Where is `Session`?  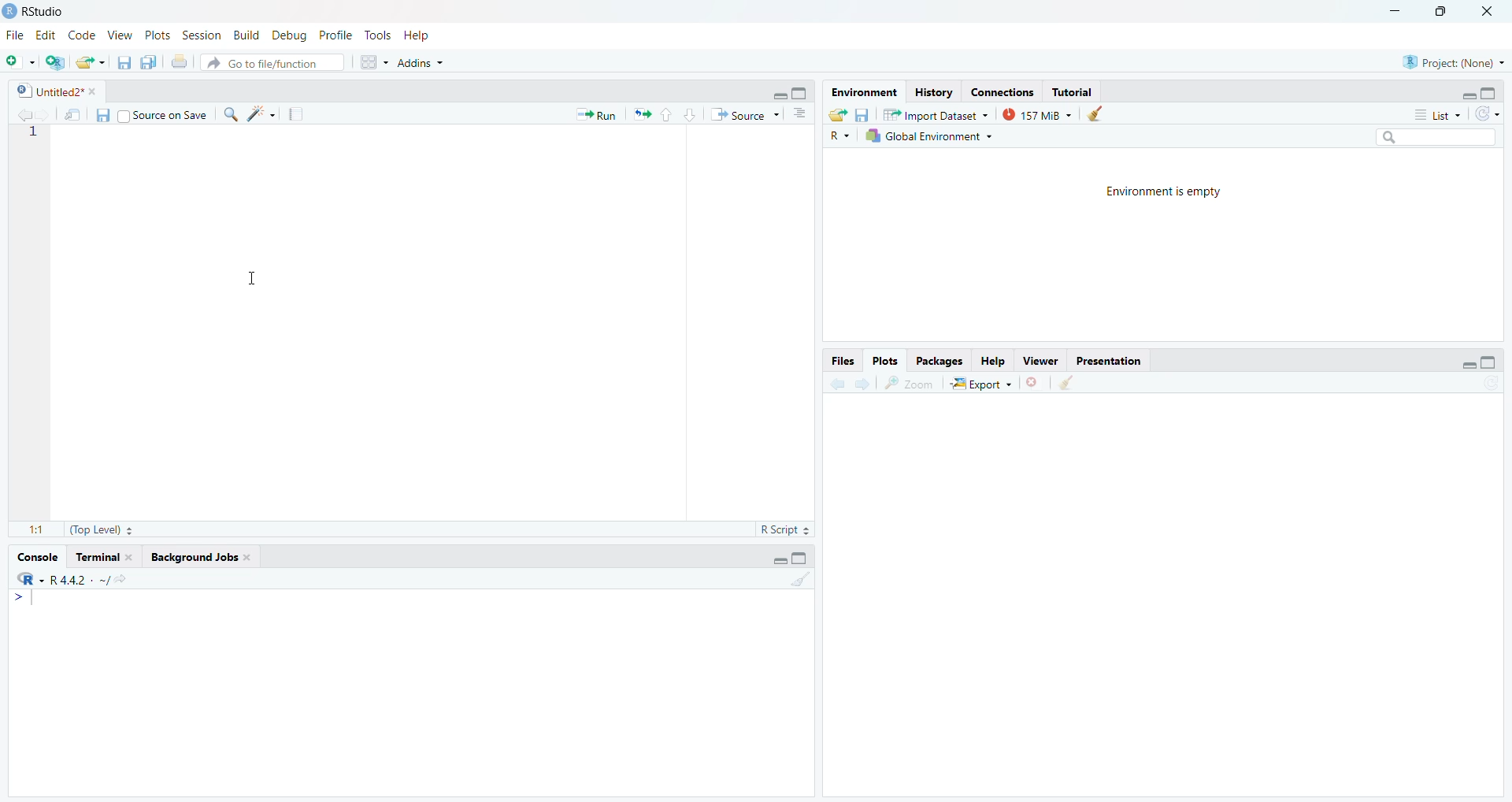 Session is located at coordinates (203, 34).